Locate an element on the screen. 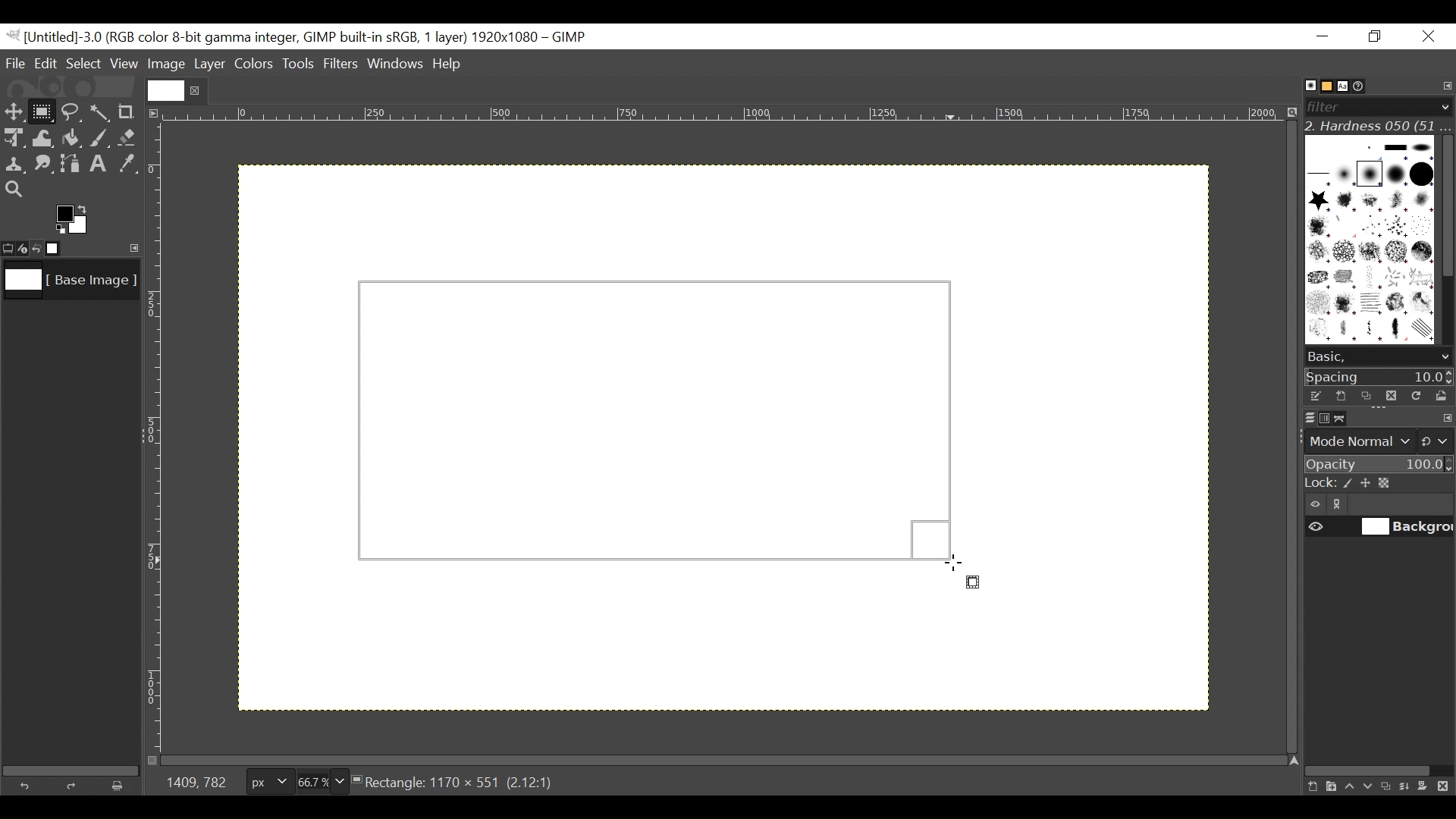  Cursor is located at coordinates (953, 564).